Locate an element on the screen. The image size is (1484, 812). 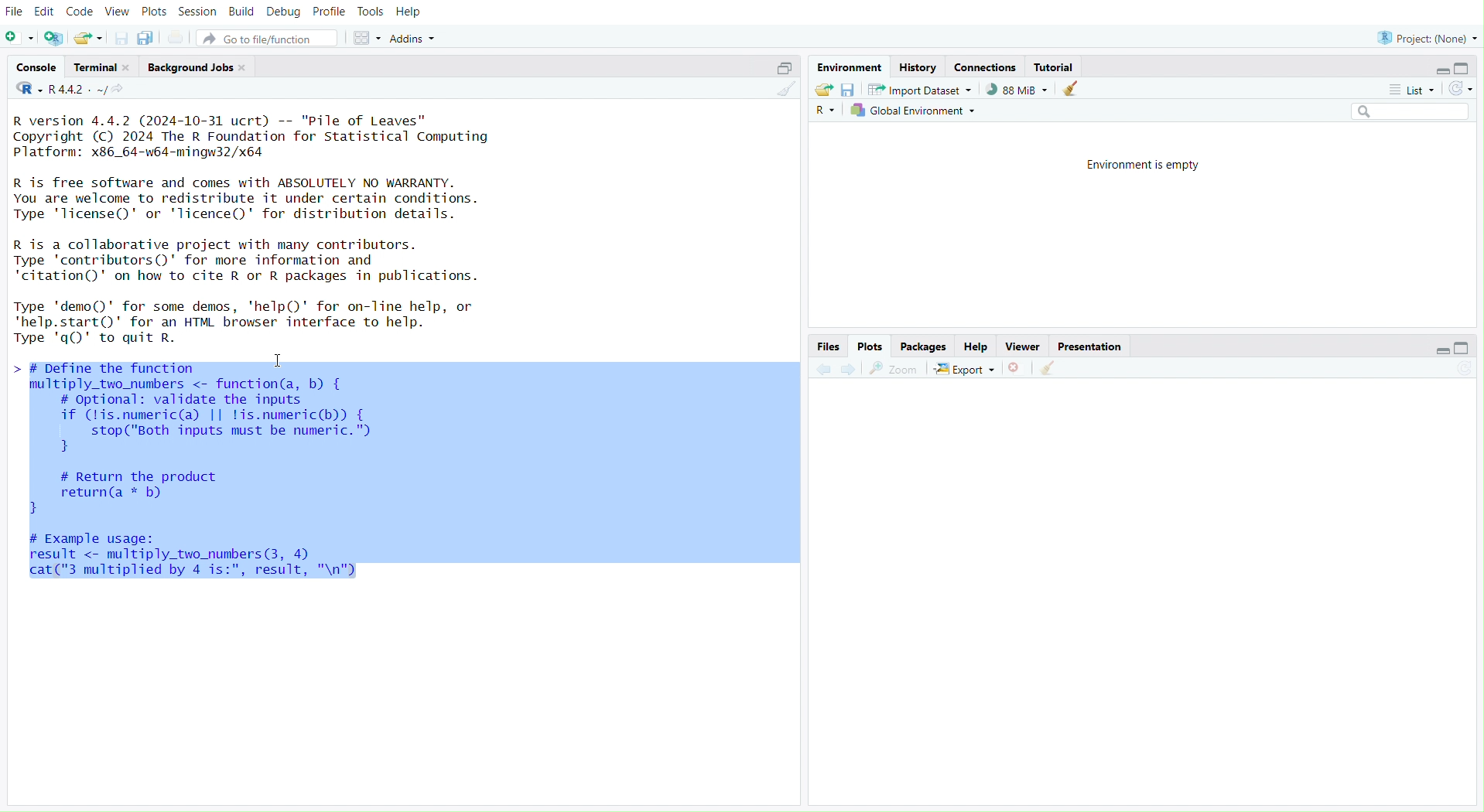
Project (None) is located at coordinates (1428, 36).